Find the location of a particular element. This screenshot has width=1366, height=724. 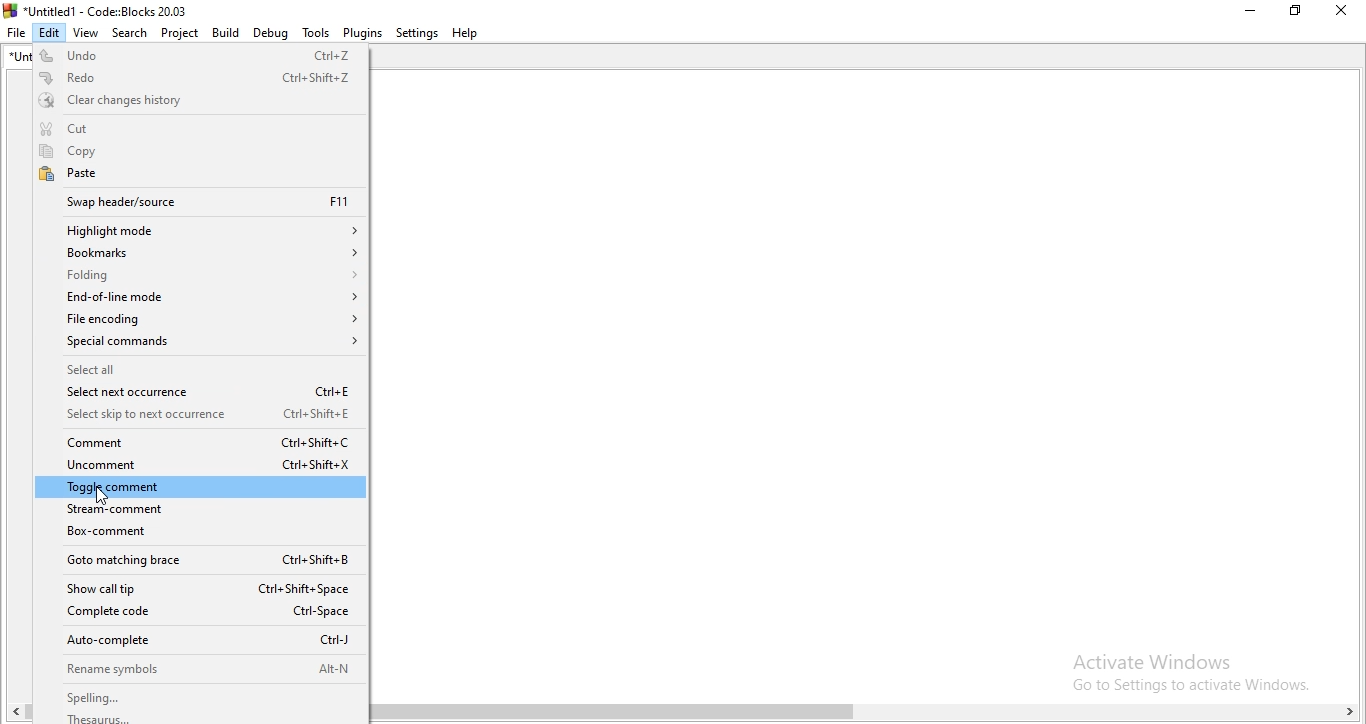

Tools  is located at coordinates (316, 35).